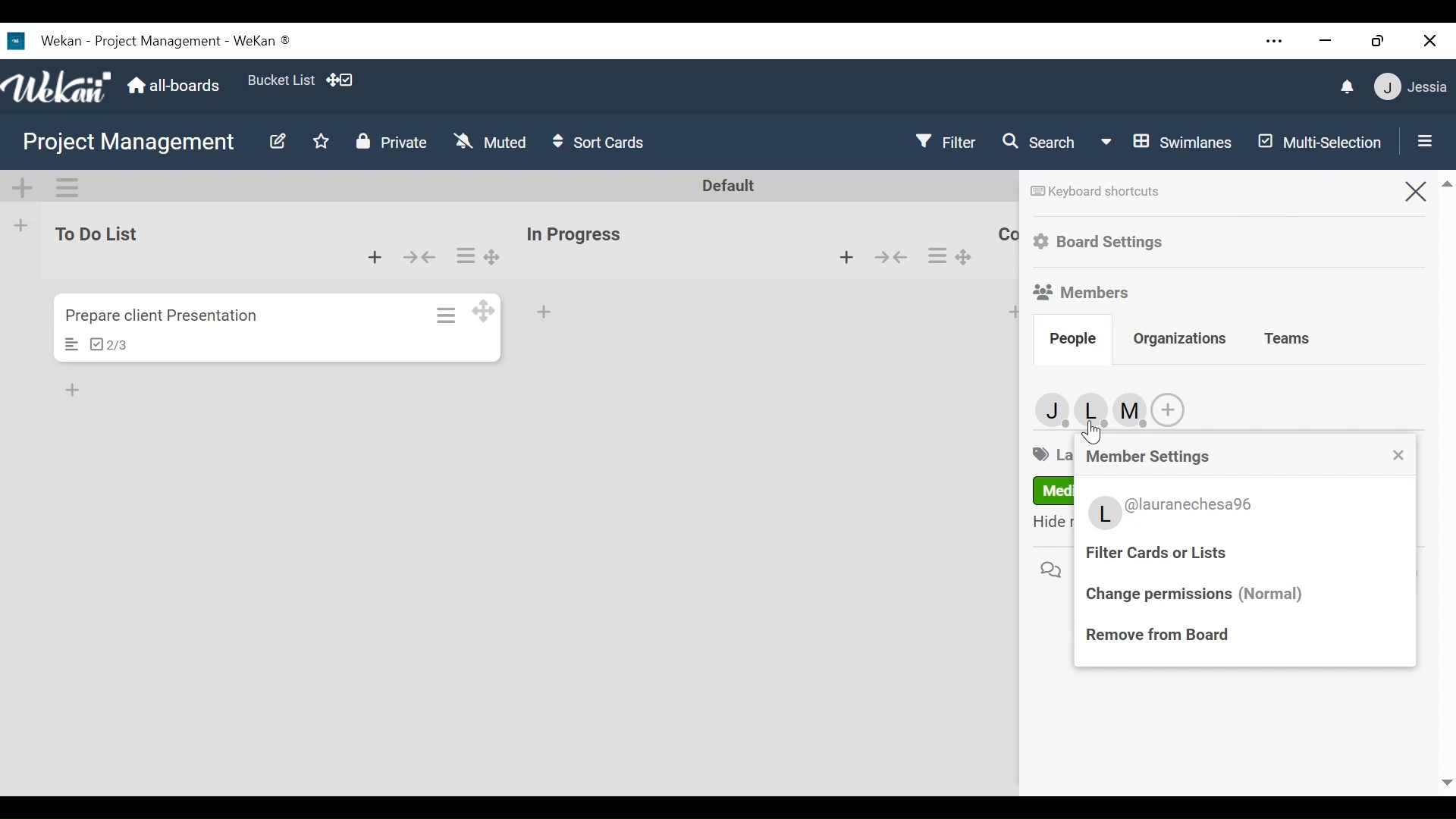 Image resolution: width=1456 pixels, height=819 pixels. Describe the element at coordinates (1316, 144) in the screenshot. I see `multi selection` at that location.